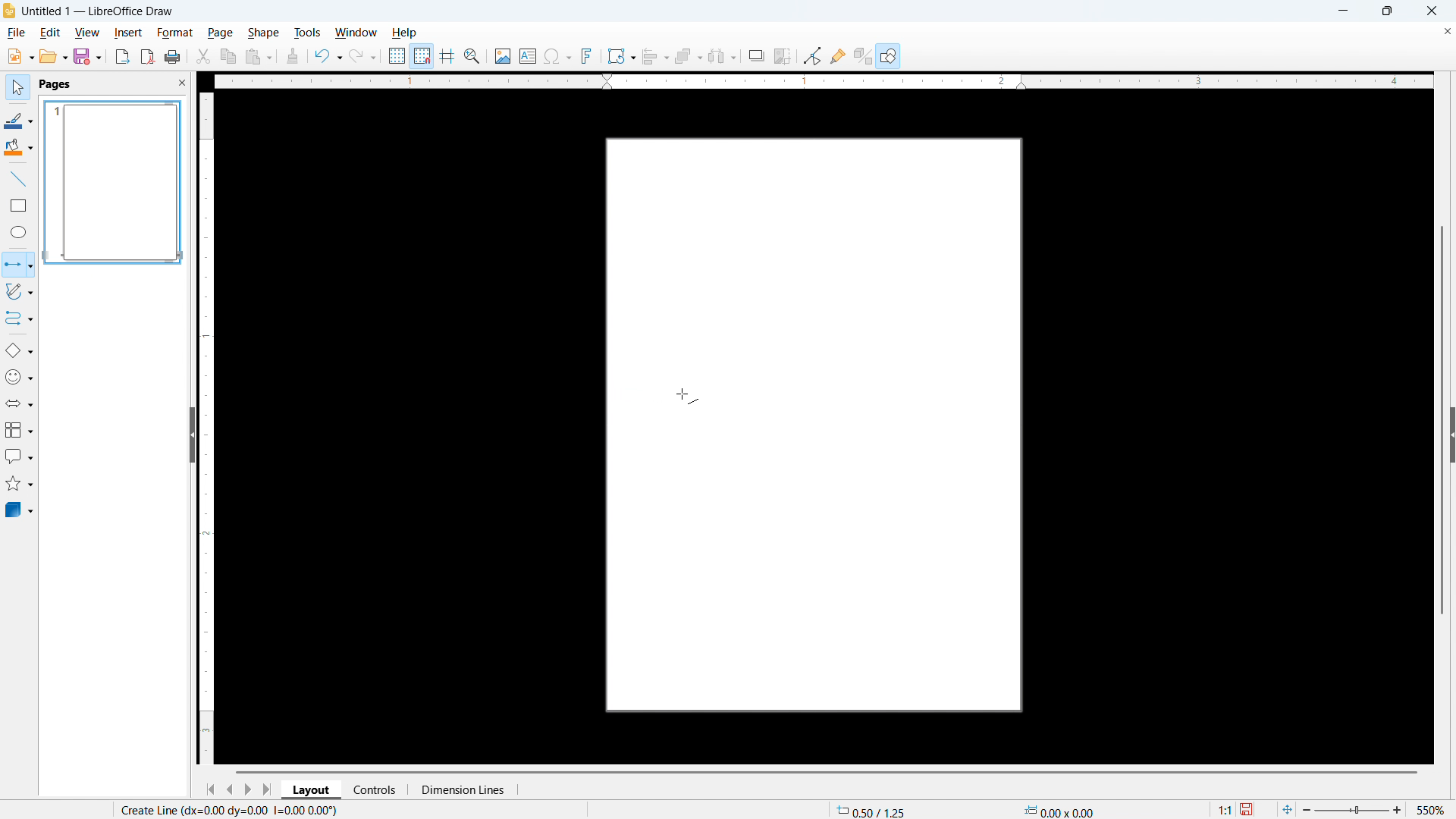 The height and width of the screenshot is (819, 1456). I want to click on Shape , so click(262, 33).